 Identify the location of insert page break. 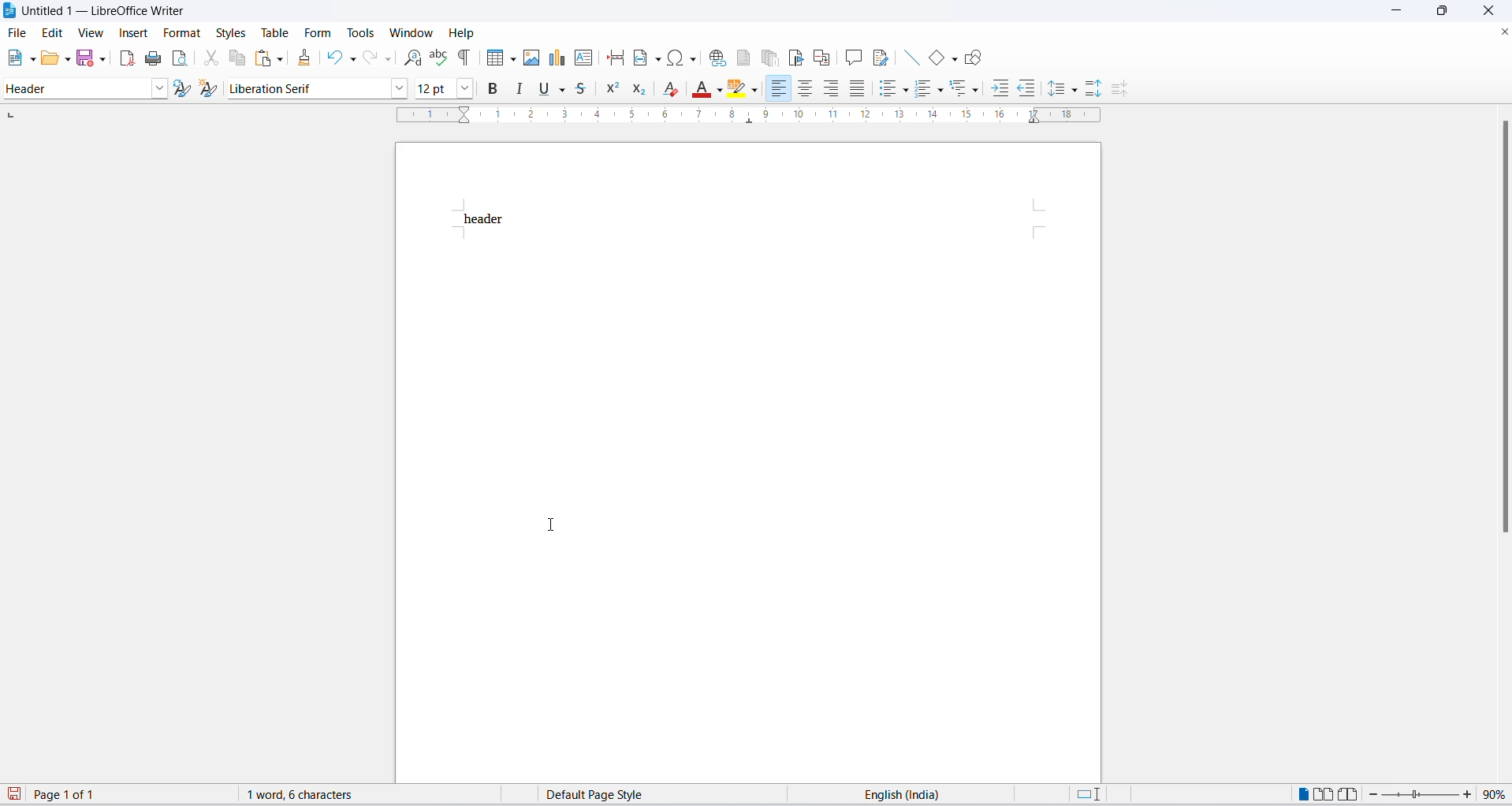
(612, 58).